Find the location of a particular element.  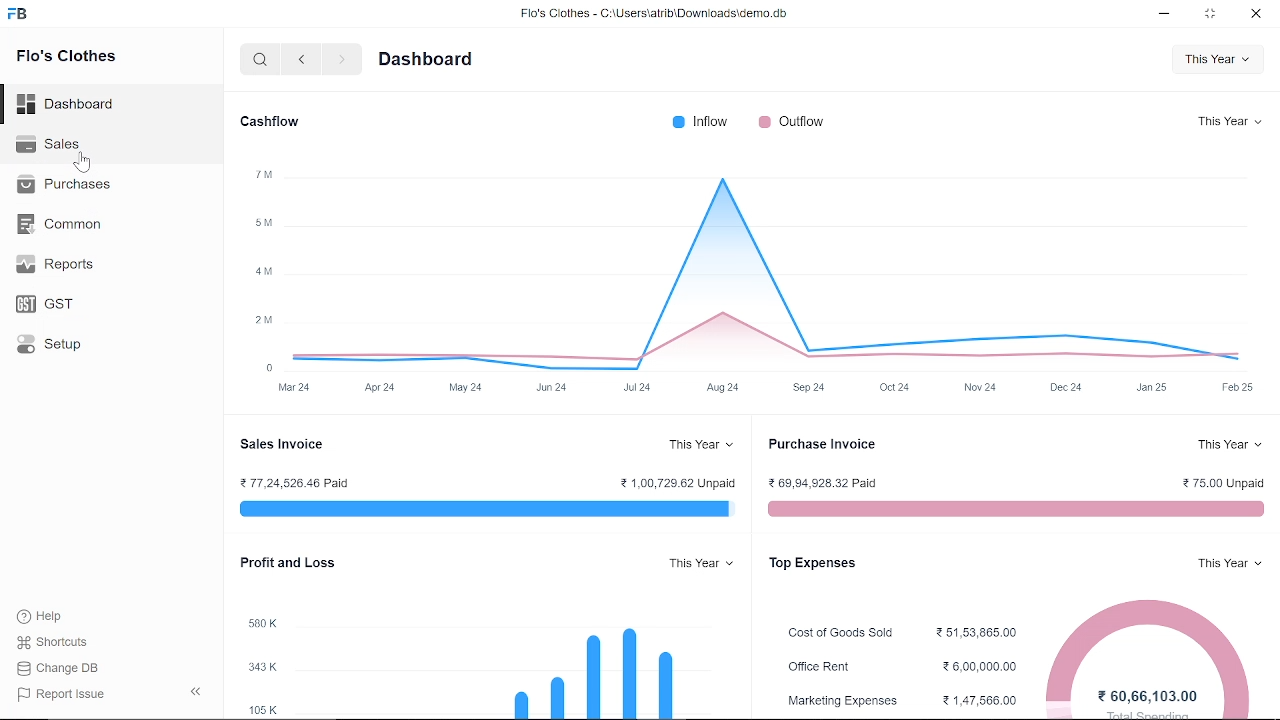

cursor is located at coordinates (82, 166).